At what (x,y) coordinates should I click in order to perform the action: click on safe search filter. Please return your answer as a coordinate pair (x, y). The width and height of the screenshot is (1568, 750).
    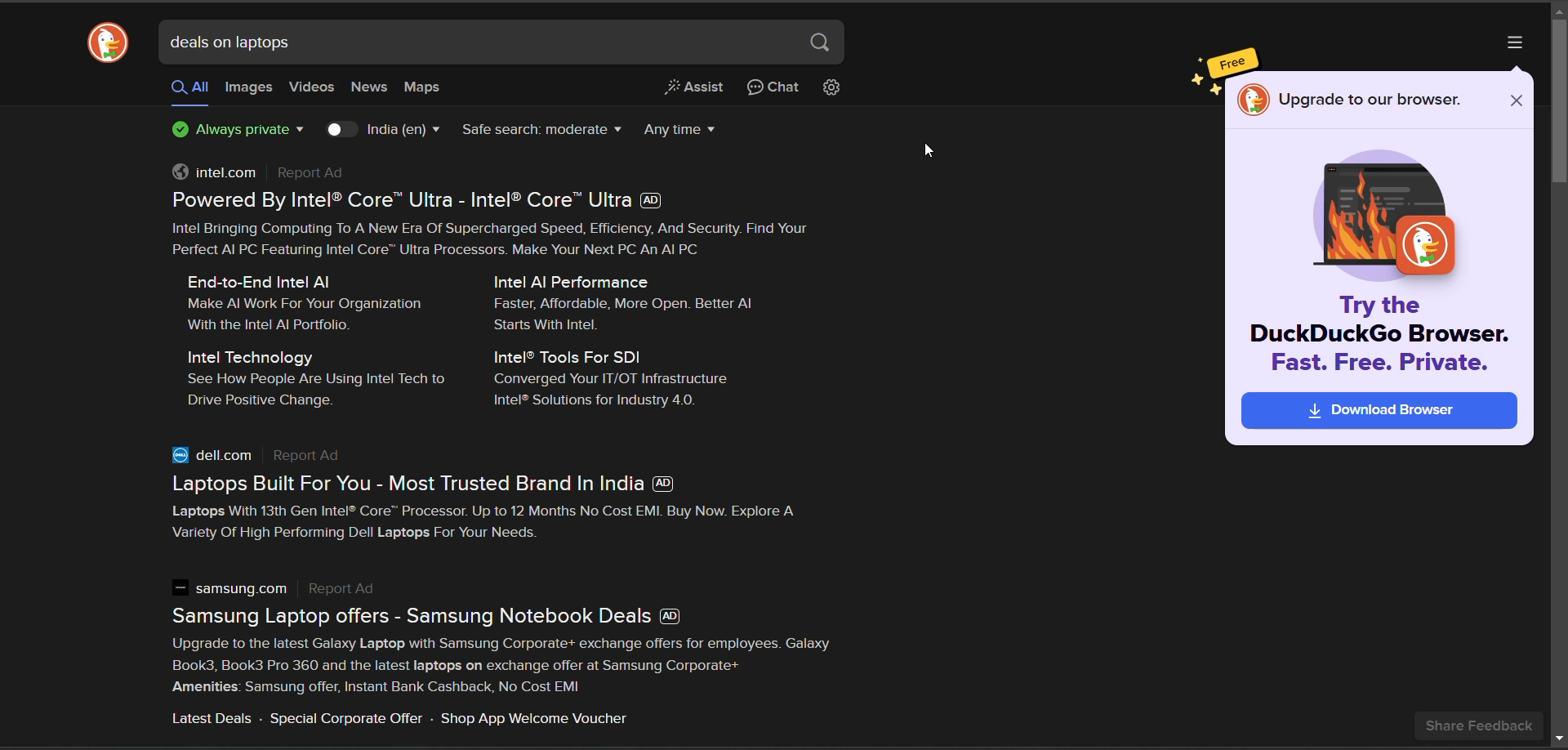
    Looking at the image, I should click on (540, 132).